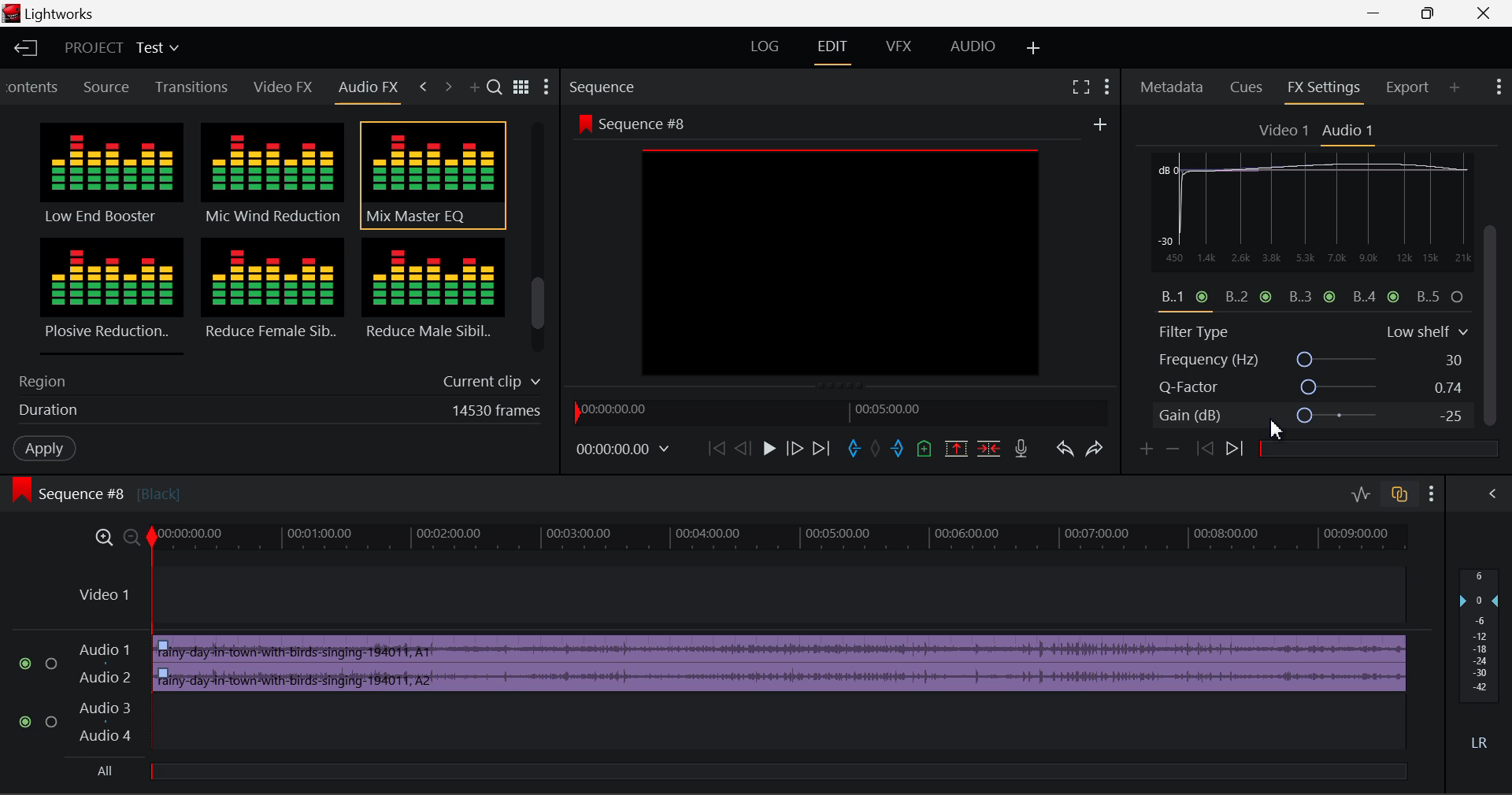 The width and height of the screenshot is (1512, 795). I want to click on To Start, so click(715, 449).